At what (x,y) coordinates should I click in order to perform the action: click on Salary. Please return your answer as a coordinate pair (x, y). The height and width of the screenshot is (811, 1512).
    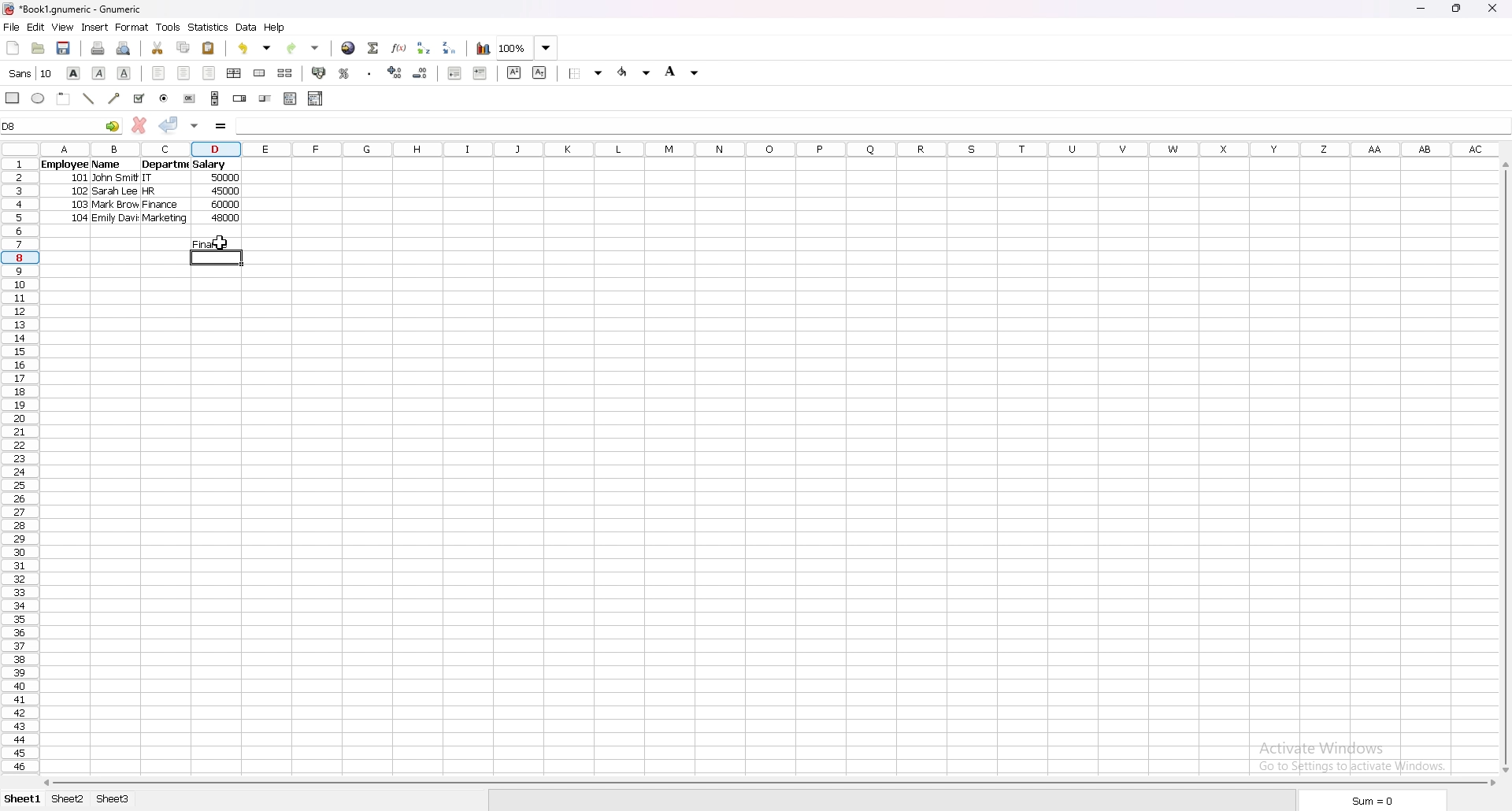
    Looking at the image, I should click on (211, 165).